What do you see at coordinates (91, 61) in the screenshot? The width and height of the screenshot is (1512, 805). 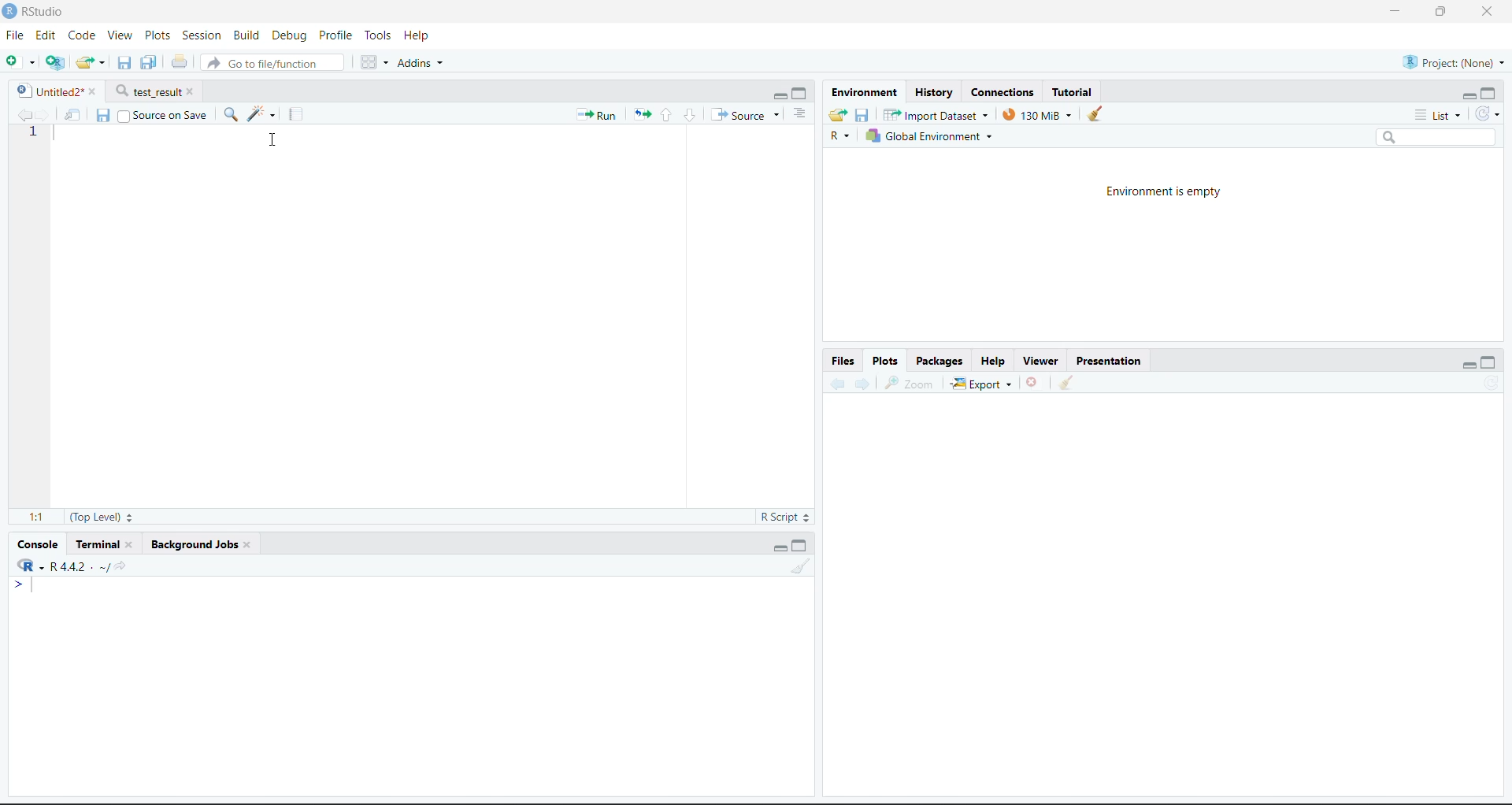 I see `Open an existing file (Ctrl + O)` at bounding box center [91, 61].